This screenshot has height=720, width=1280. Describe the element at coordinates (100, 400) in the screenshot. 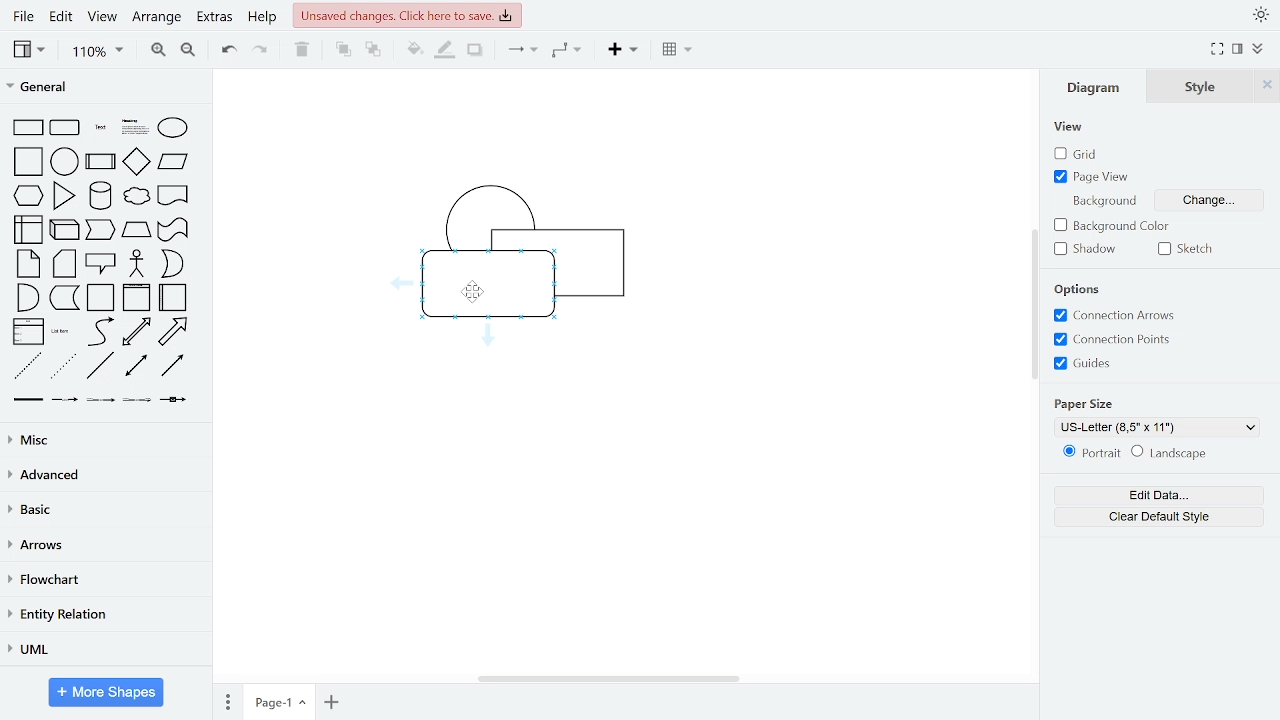

I see `connector with 2 label` at that location.